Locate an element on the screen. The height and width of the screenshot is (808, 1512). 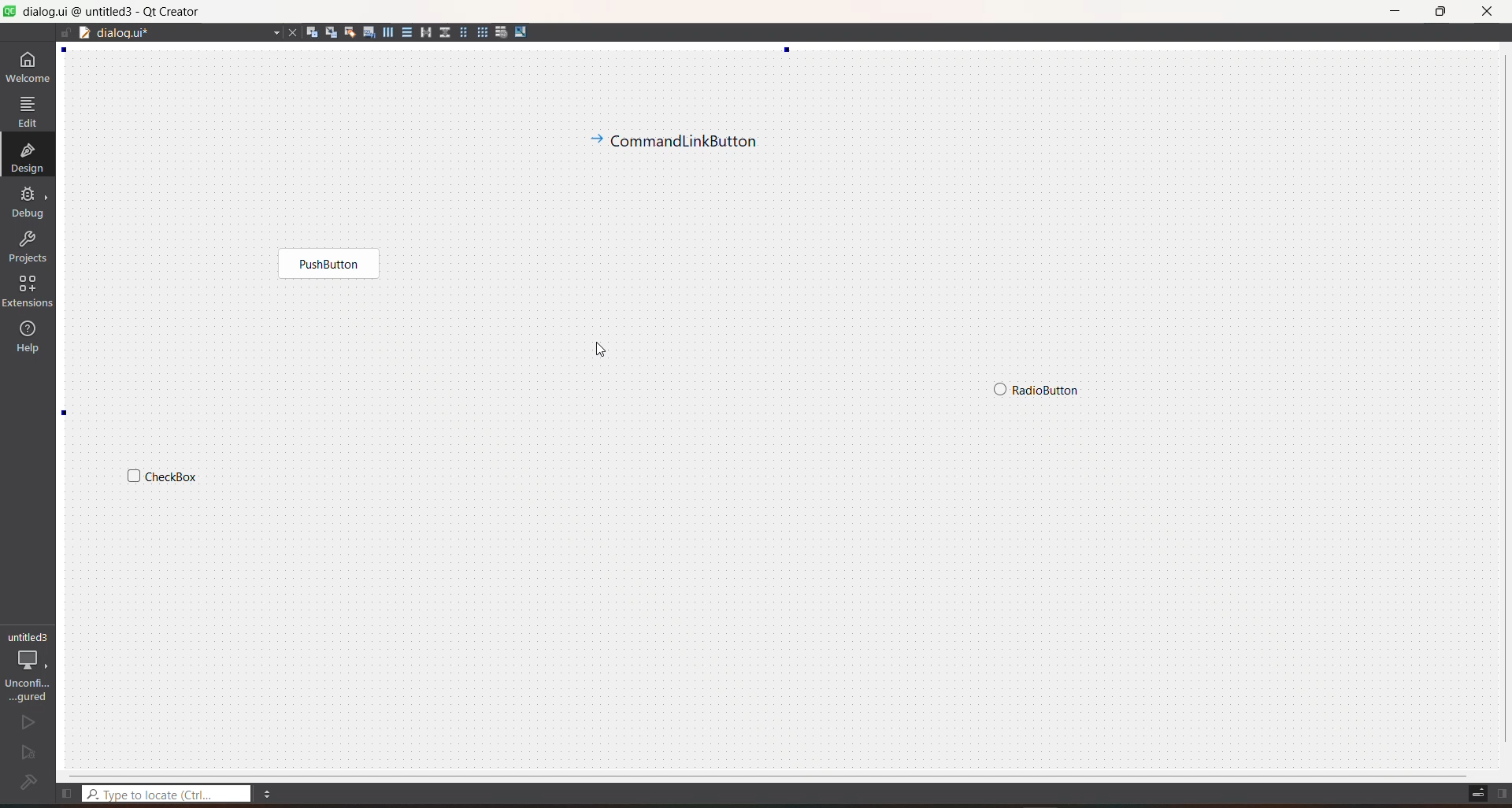
extensions is located at coordinates (28, 291).